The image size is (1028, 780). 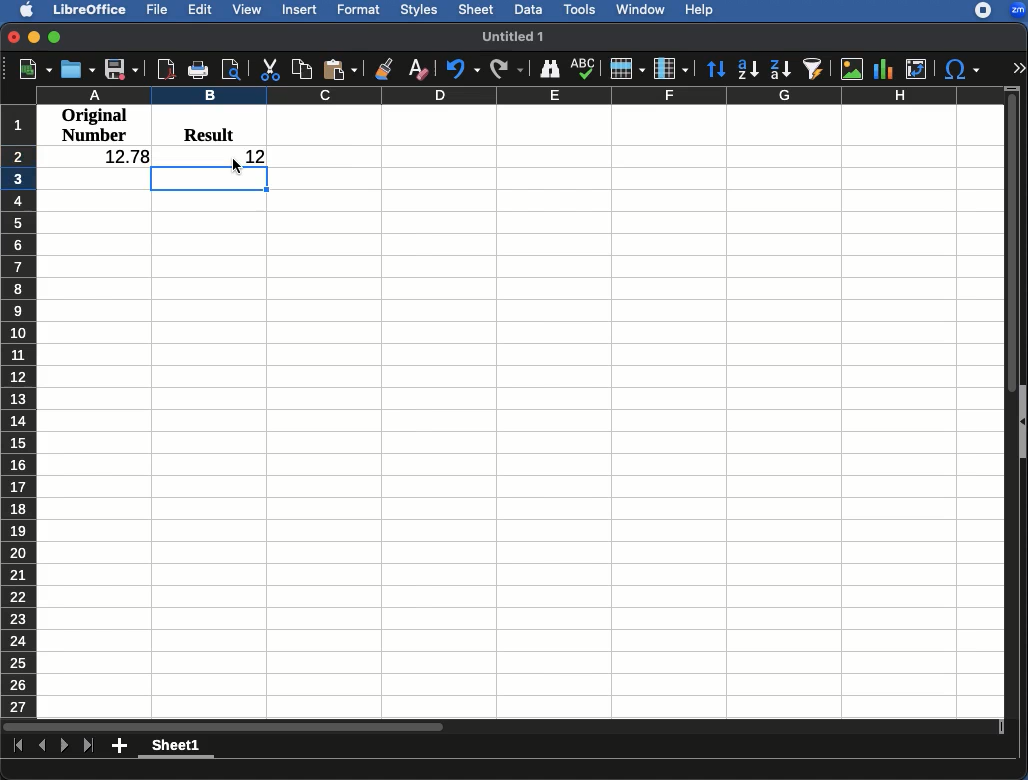 I want to click on Descending , so click(x=779, y=69).